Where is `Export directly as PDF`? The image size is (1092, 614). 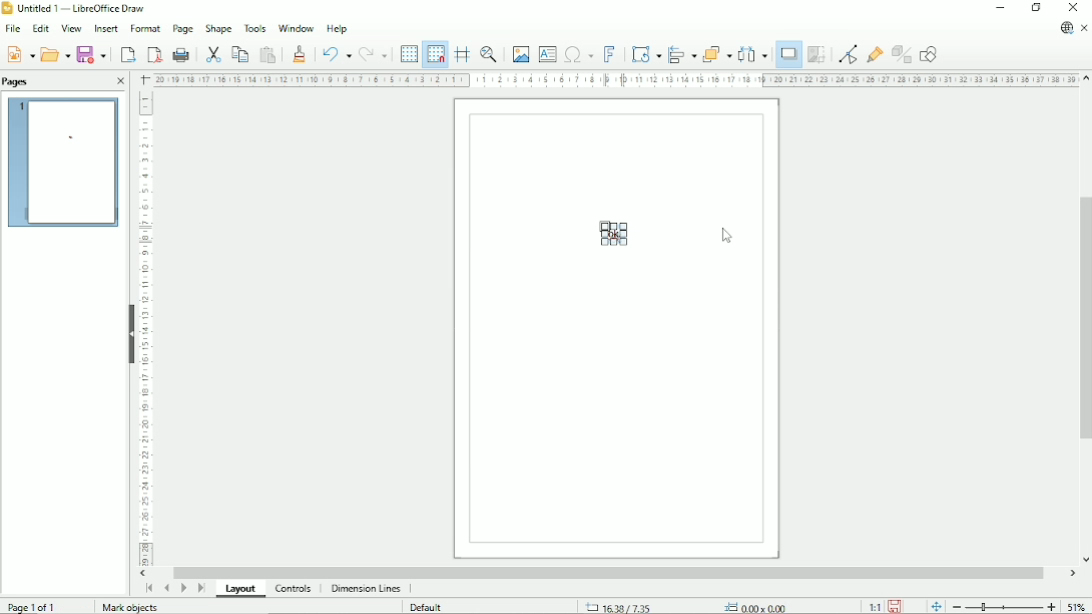
Export directly as PDF is located at coordinates (152, 54).